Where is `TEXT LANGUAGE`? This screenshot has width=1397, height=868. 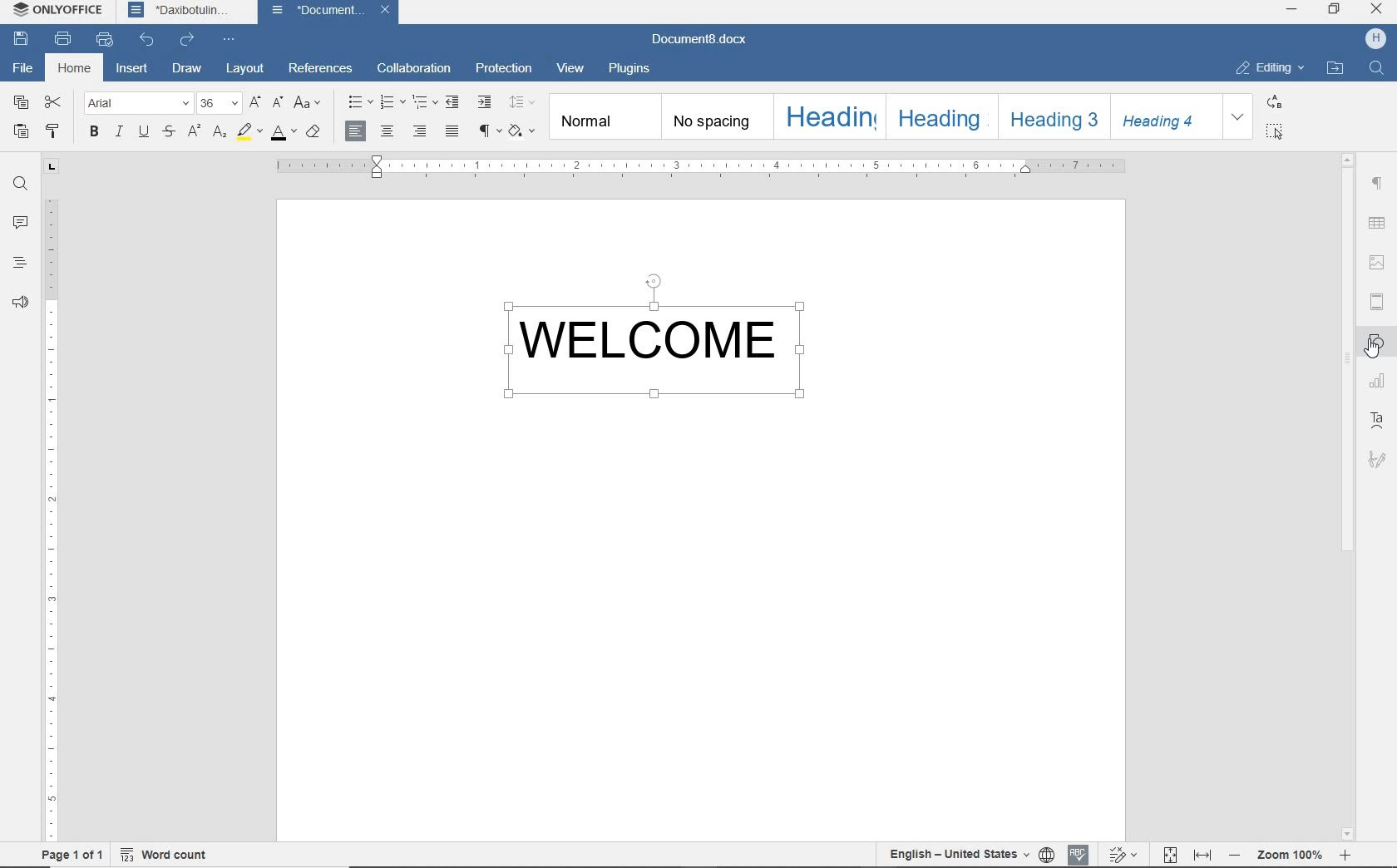 TEXT LANGUAGE is located at coordinates (959, 855).